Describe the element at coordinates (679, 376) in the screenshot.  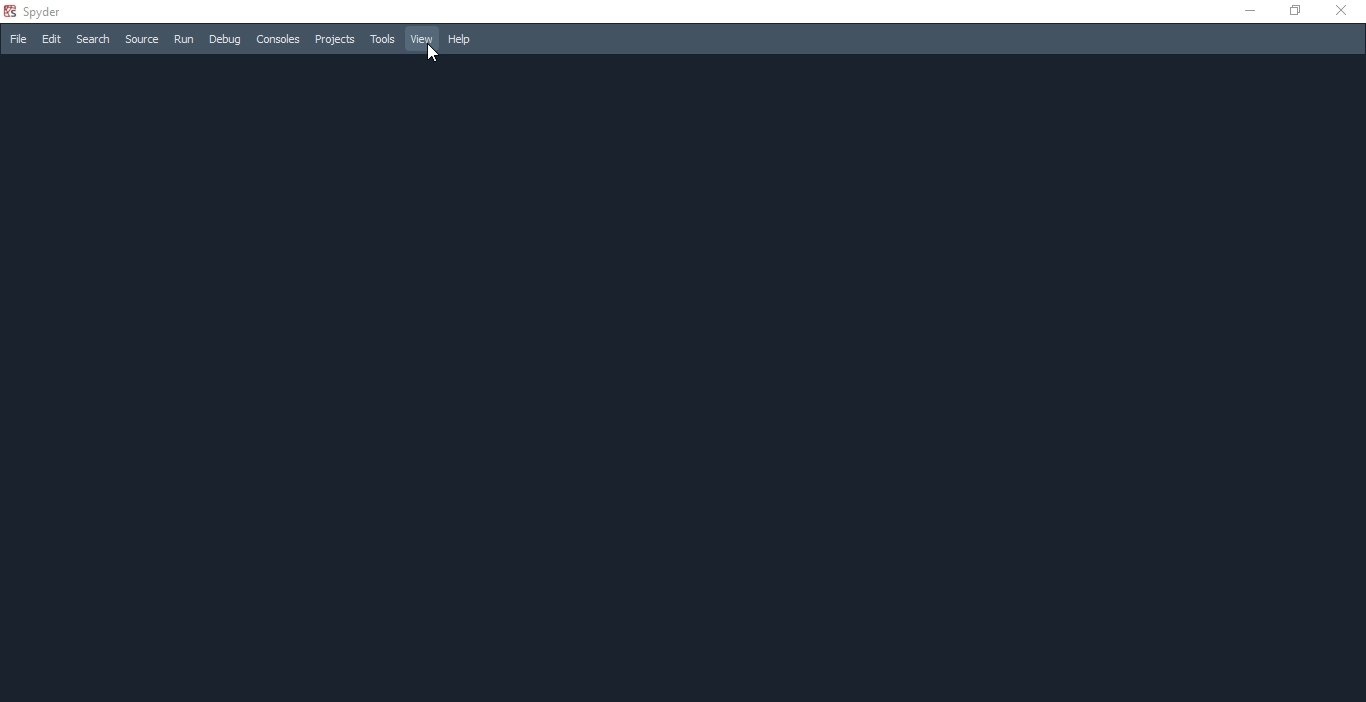
I see `Spyder Default Start Interface` at that location.